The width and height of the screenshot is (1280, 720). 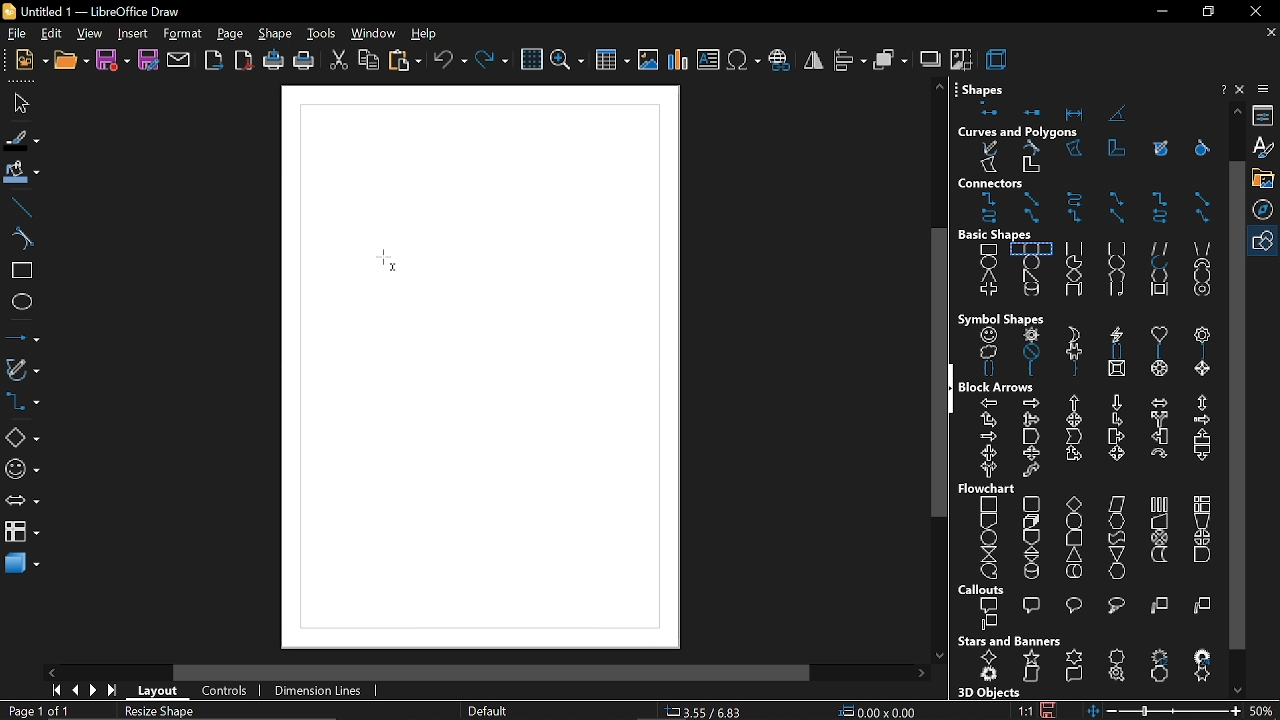 What do you see at coordinates (1081, 110) in the screenshot?
I see `shapes` at bounding box center [1081, 110].